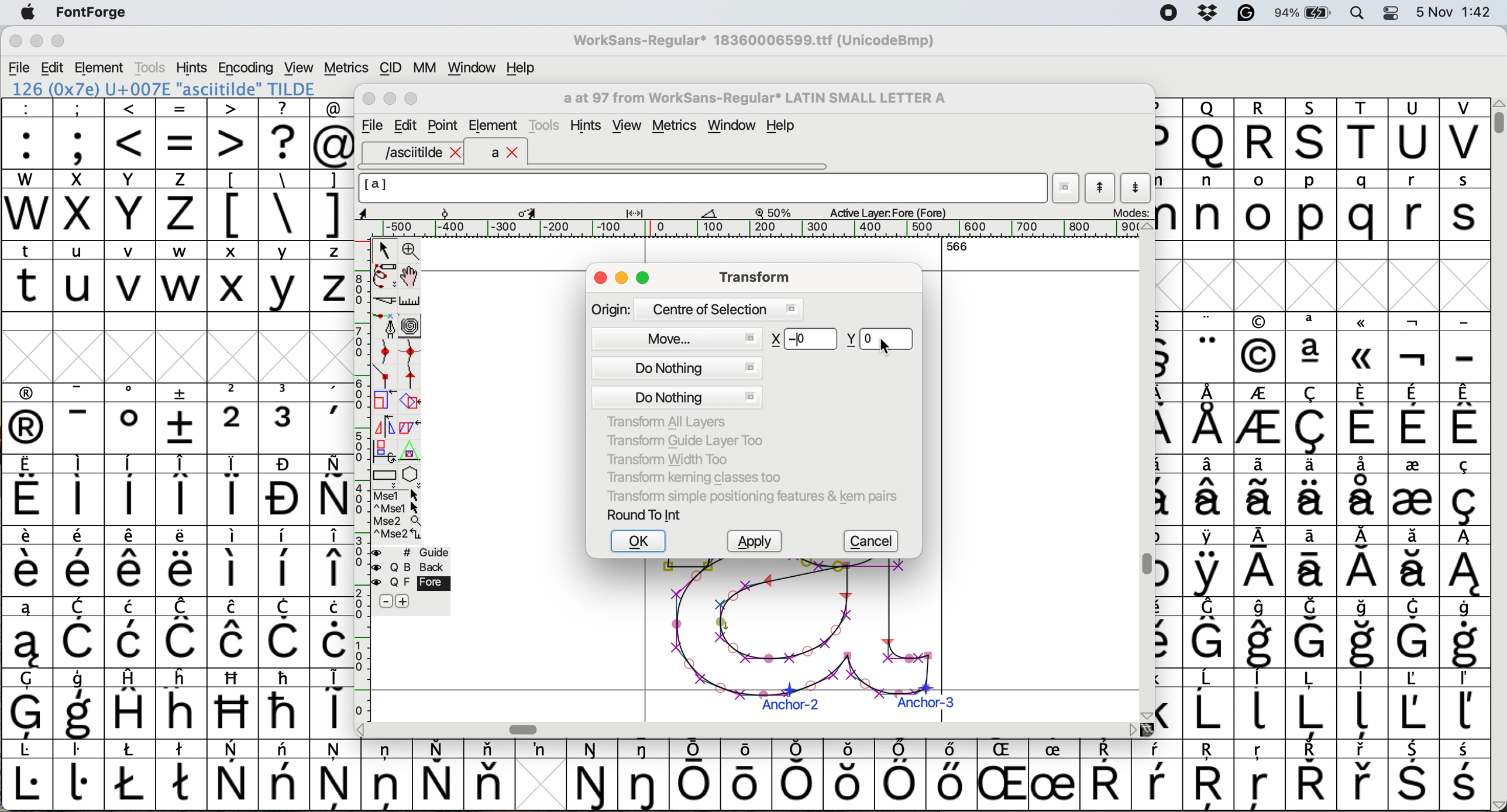  Describe the element at coordinates (1054, 776) in the screenshot. I see `symbol` at that location.